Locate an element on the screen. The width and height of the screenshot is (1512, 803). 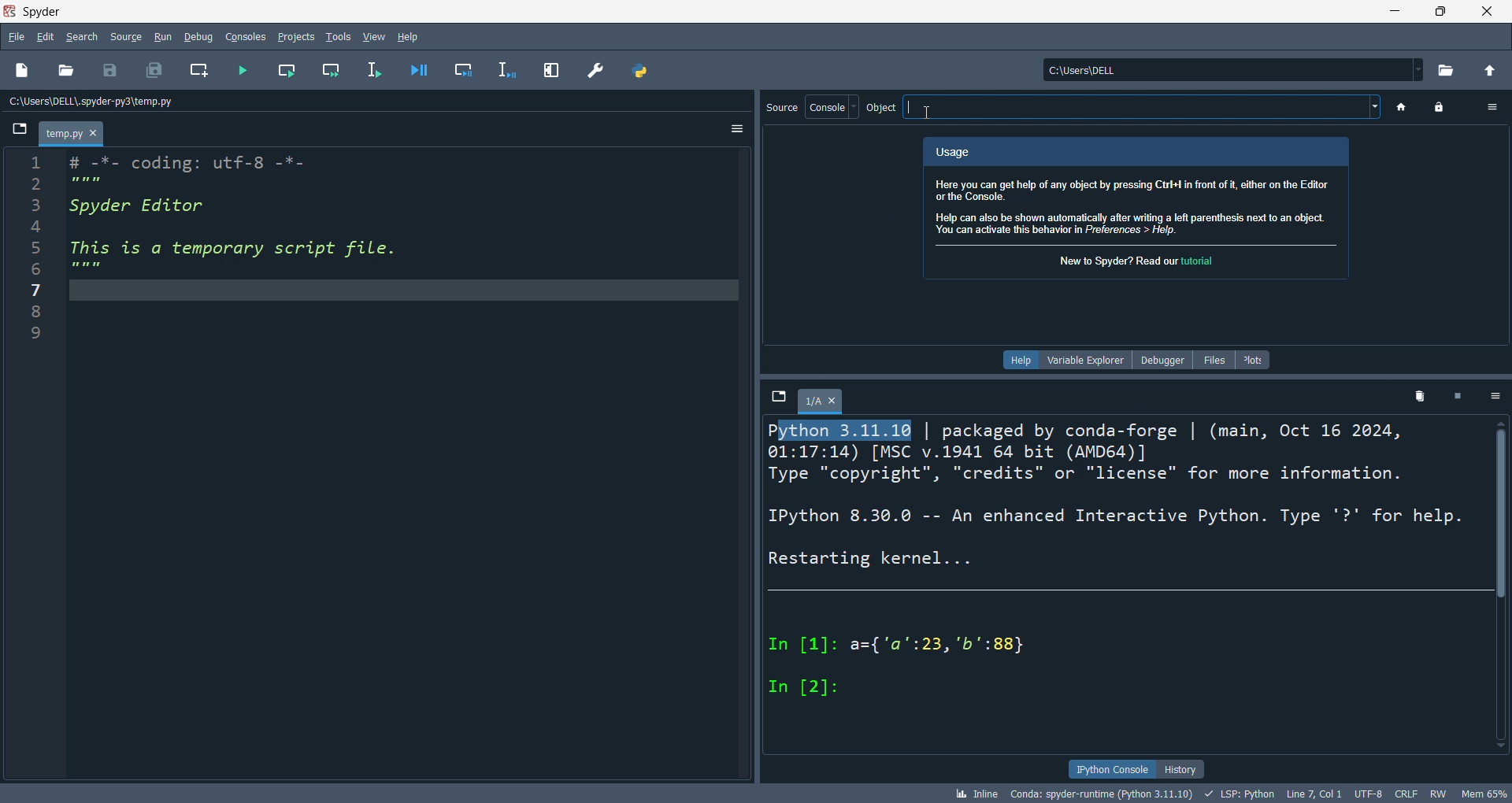
home is located at coordinates (1402, 108).